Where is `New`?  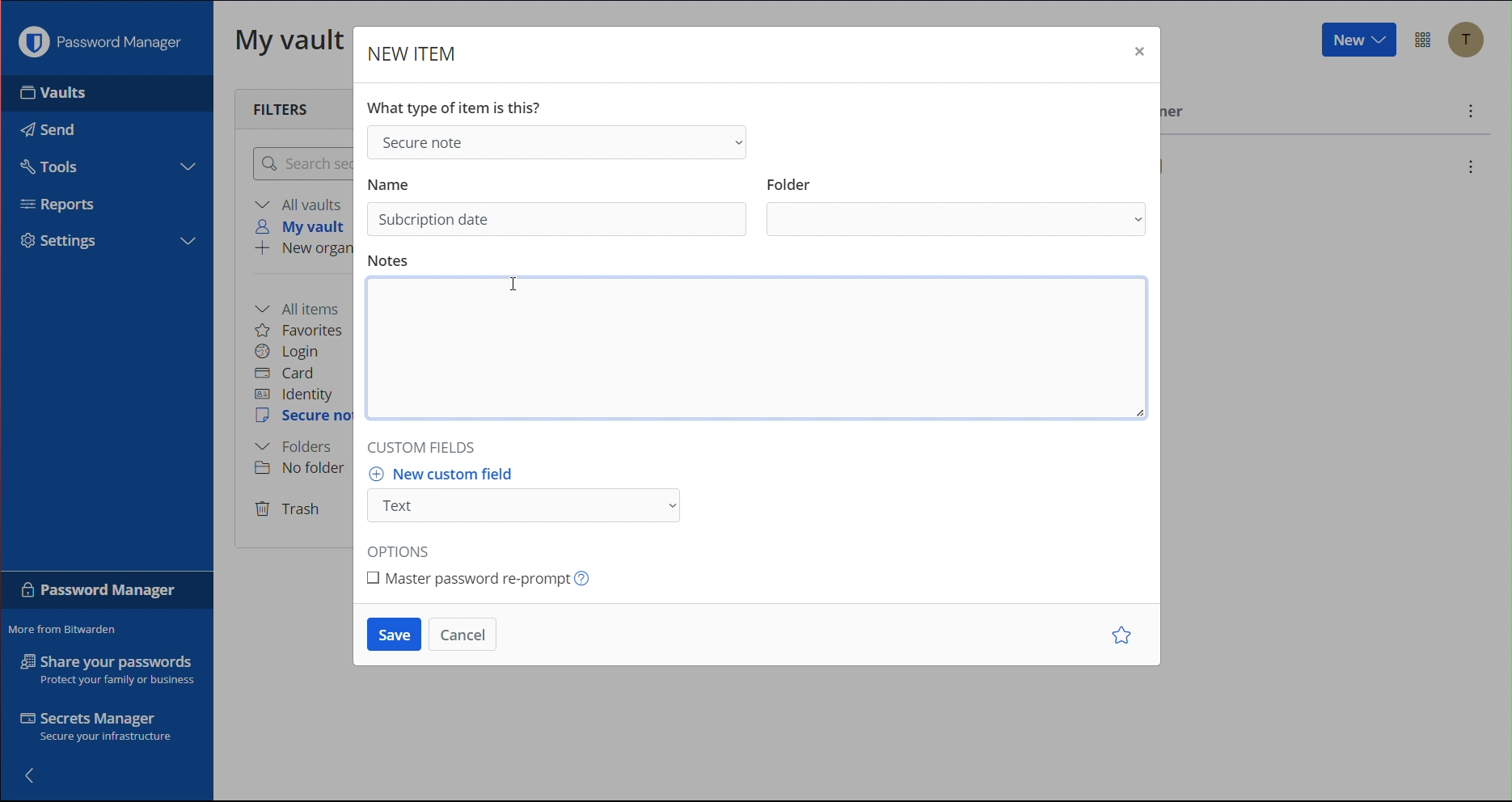
New is located at coordinates (1357, 40).